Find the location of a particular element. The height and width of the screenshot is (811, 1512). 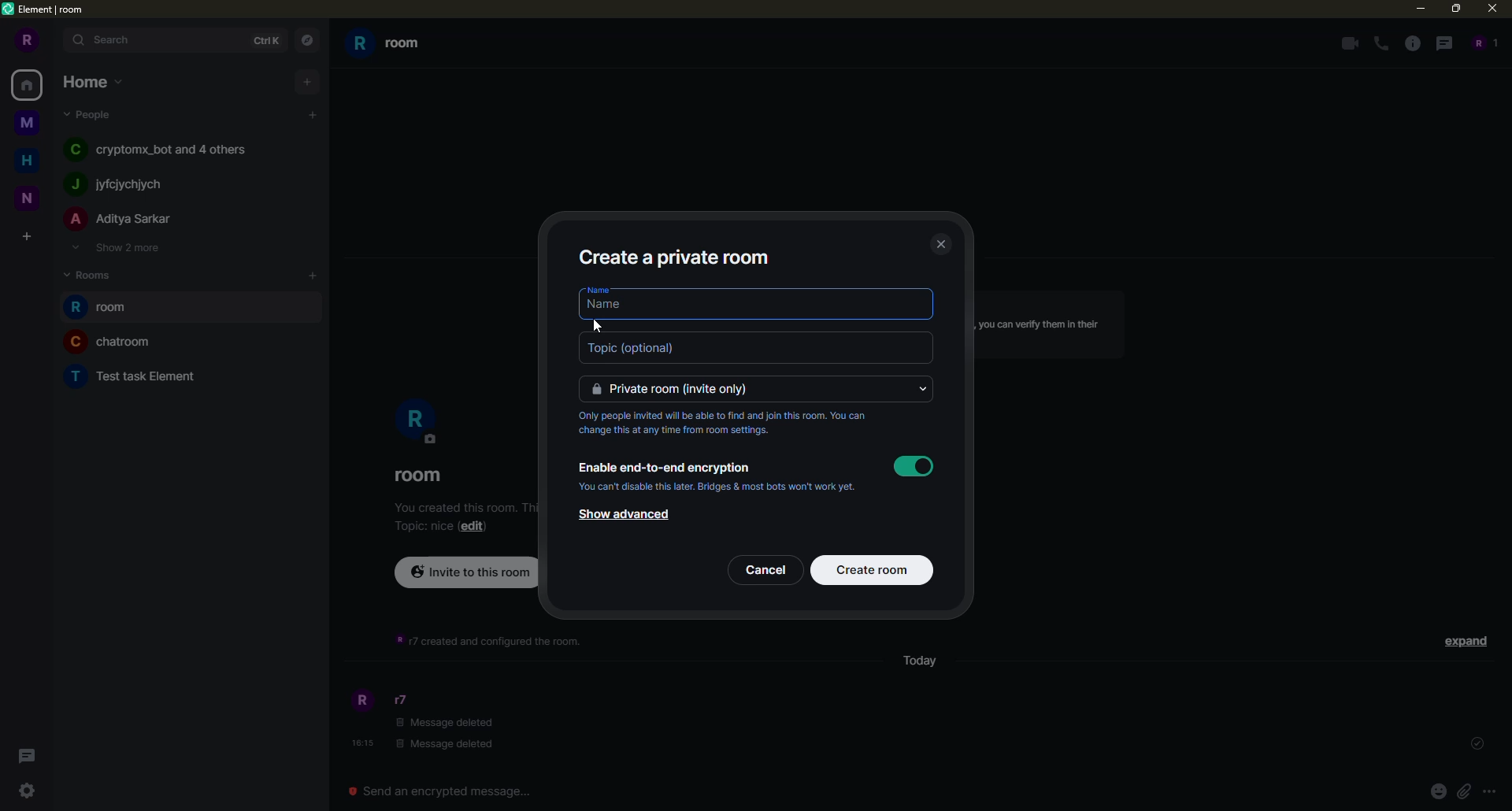

profile is located at coordinates (417, 422).